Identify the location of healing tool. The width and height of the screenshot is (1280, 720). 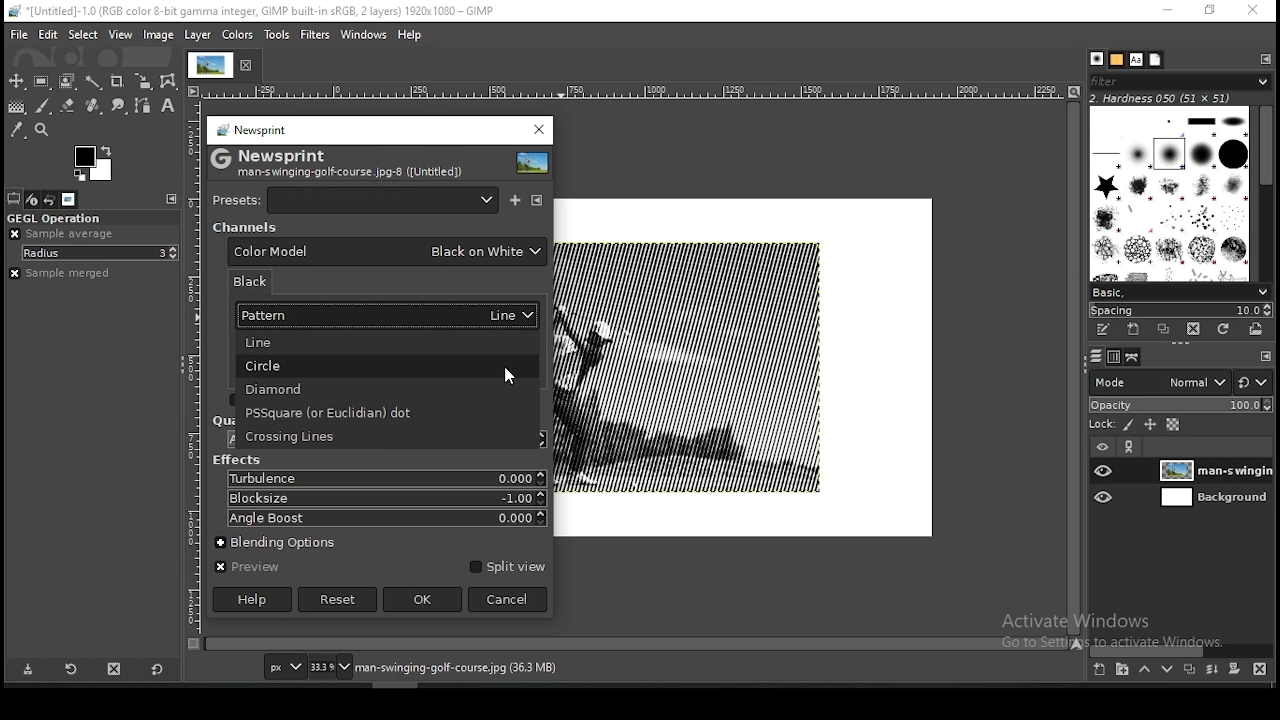
(93, 106).